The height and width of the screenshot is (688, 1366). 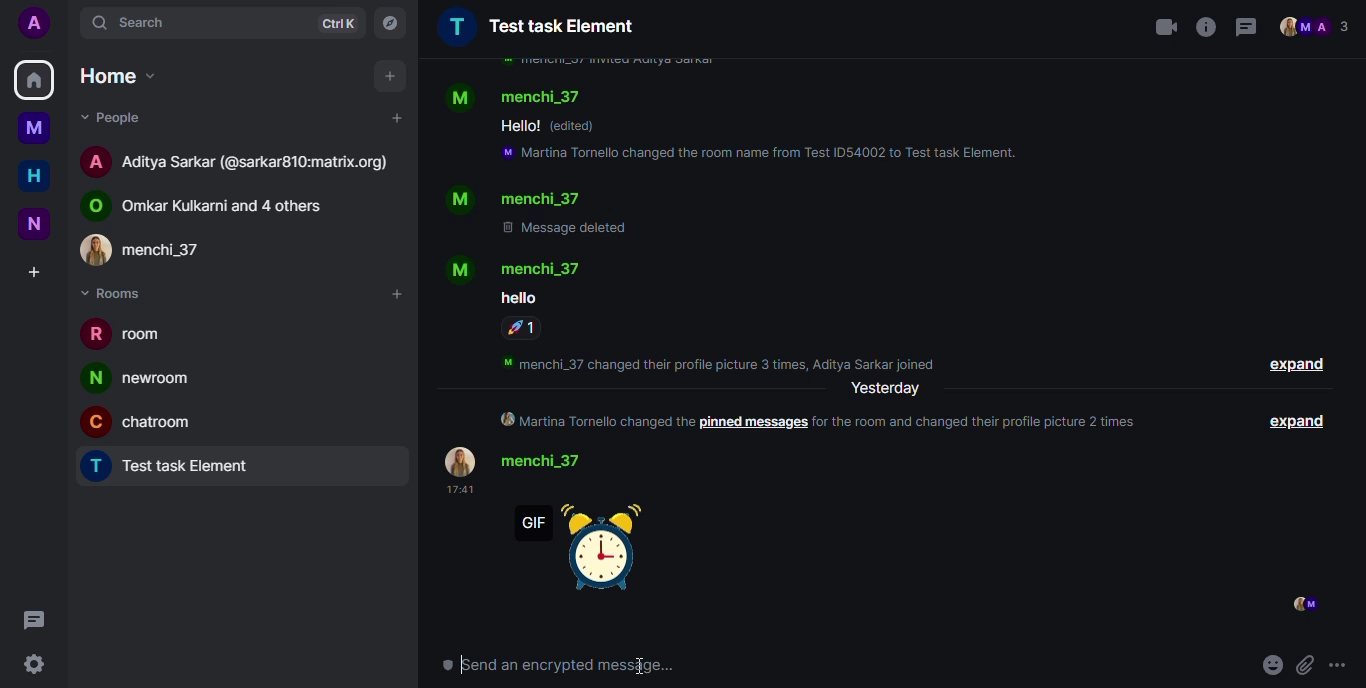 I want to click on seen, so click(x=1303, y=604).